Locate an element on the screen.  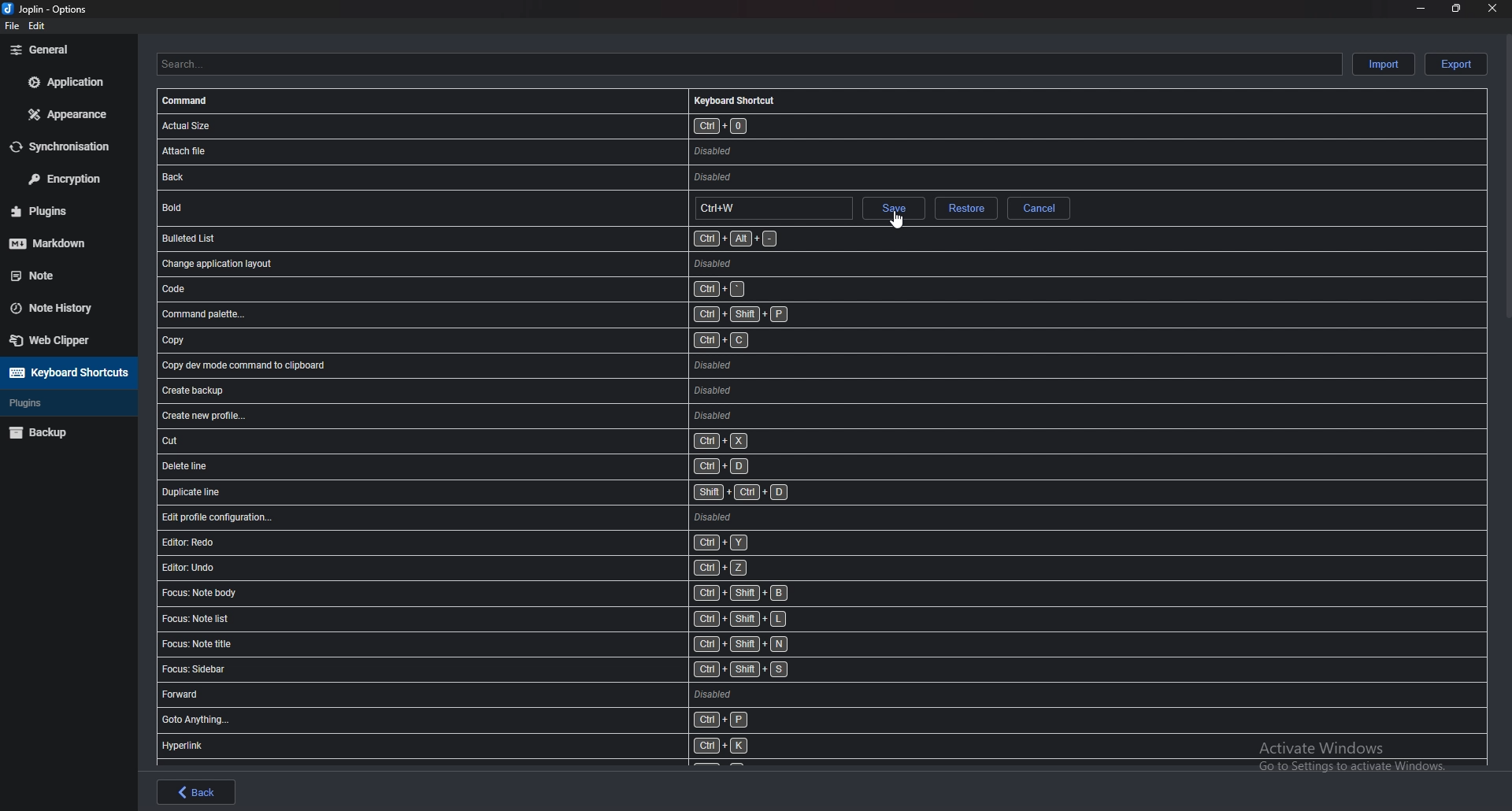
cursor is located at coordinates (899, 220).